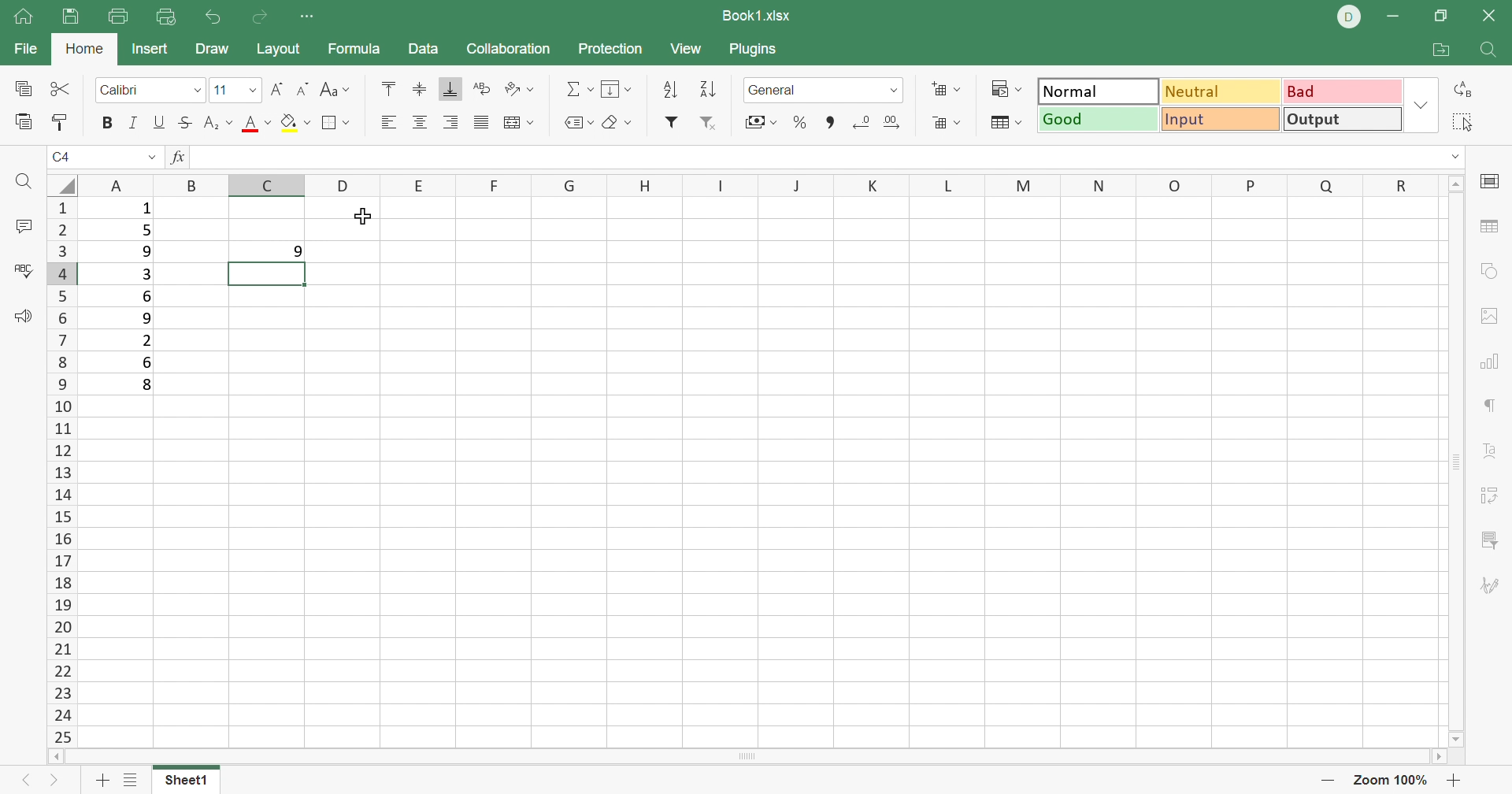  I want to click on Insert, so click(152, 50).